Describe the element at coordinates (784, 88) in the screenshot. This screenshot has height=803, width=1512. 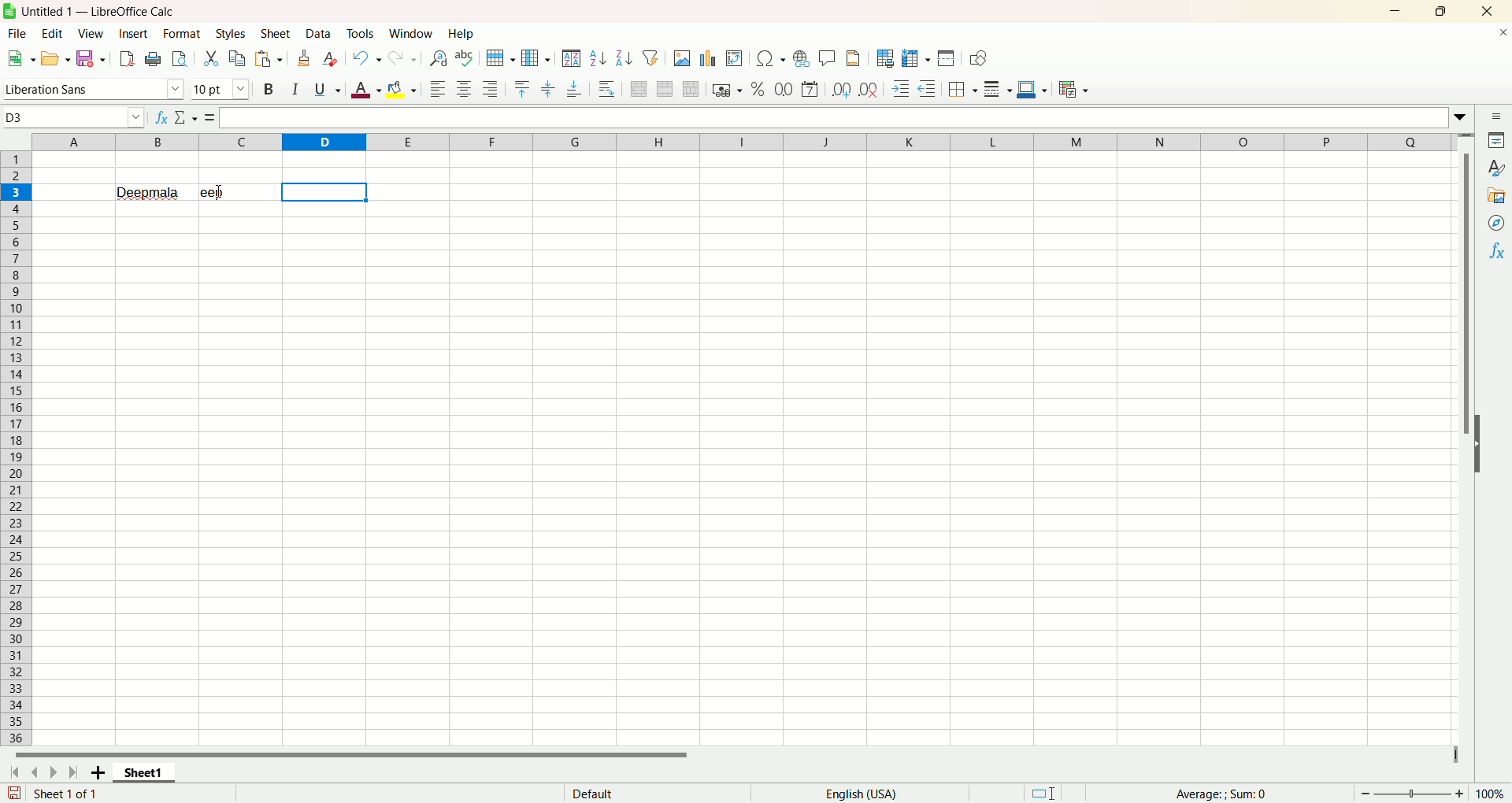
I see `Format as number` at that location.